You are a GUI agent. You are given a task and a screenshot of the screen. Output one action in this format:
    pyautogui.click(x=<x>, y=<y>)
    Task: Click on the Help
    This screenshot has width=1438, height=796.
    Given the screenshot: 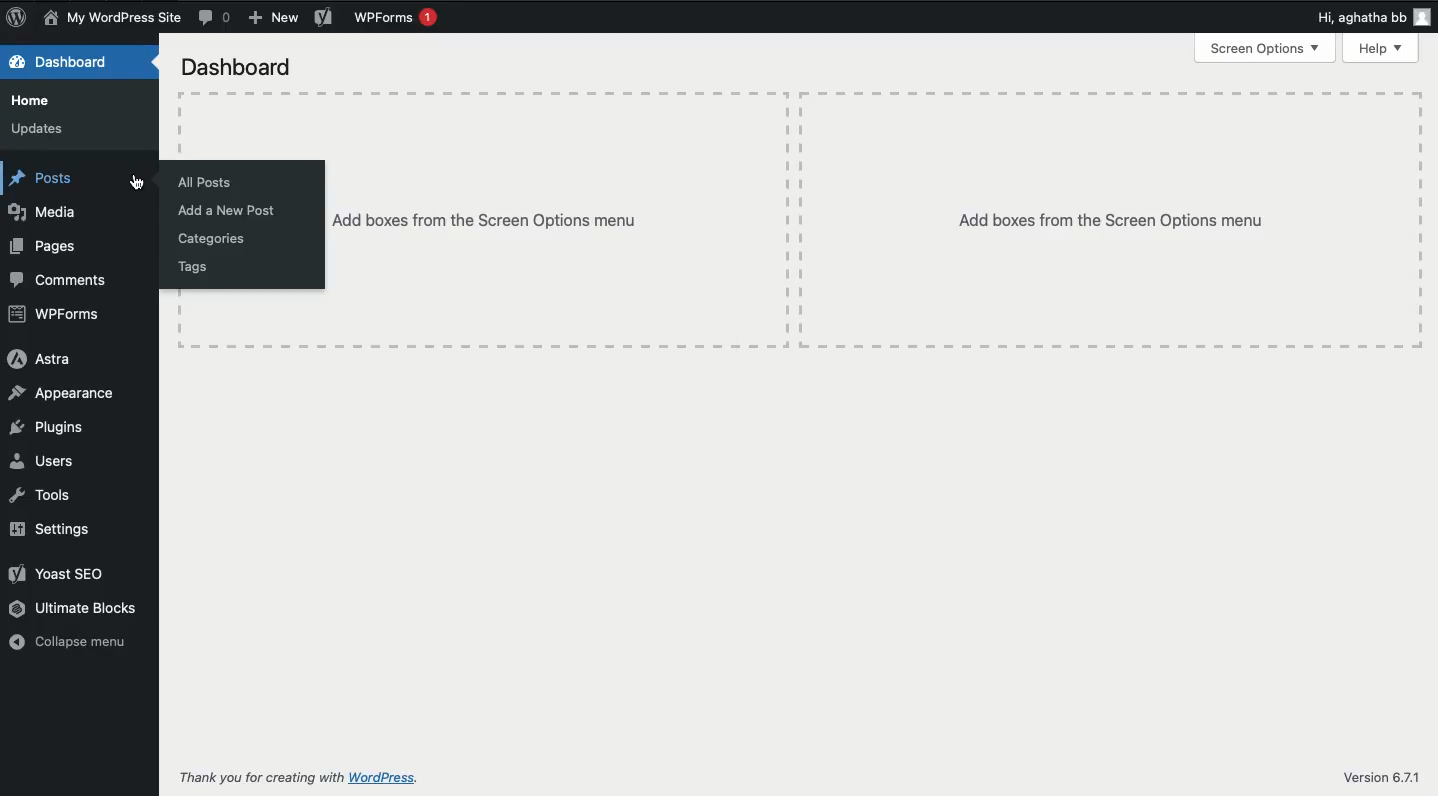 What is the action you would take?
    pyautogui.click(x=1380, y=48)
    